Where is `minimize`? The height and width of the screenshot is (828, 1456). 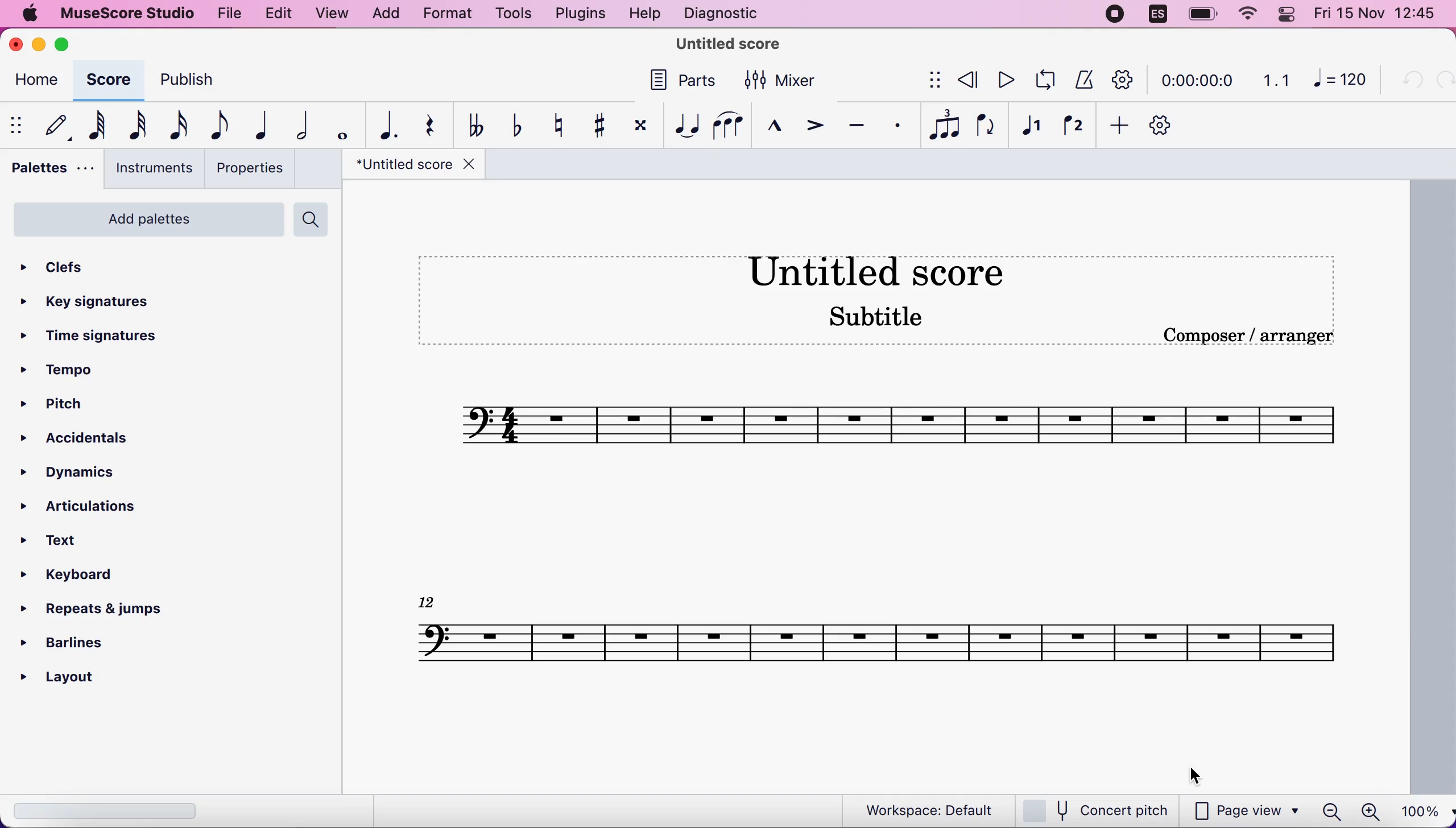 minimize is located at coordinates (38, 42).